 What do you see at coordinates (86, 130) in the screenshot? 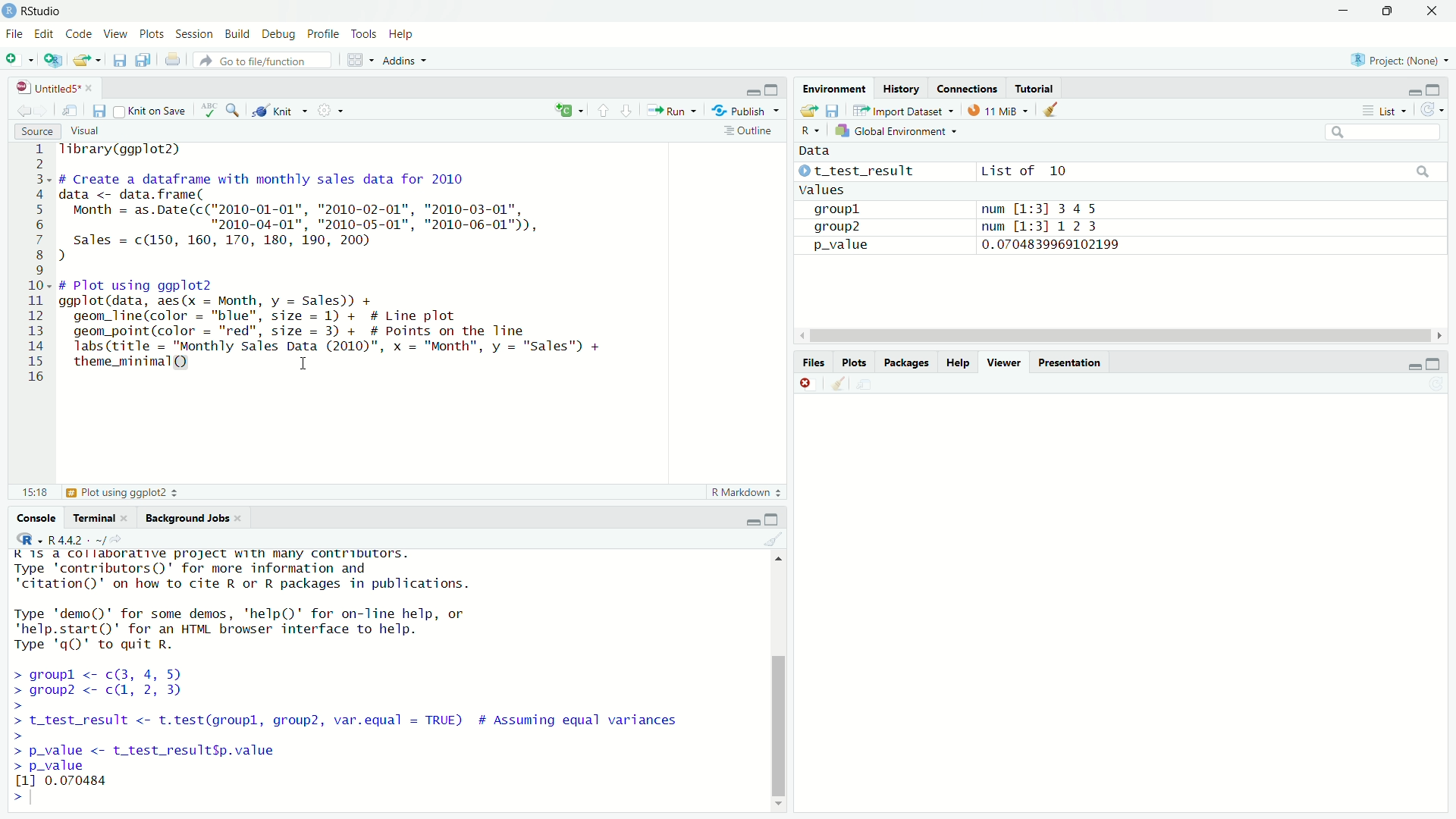
I see `Visual` at bounding box center [86, 130].